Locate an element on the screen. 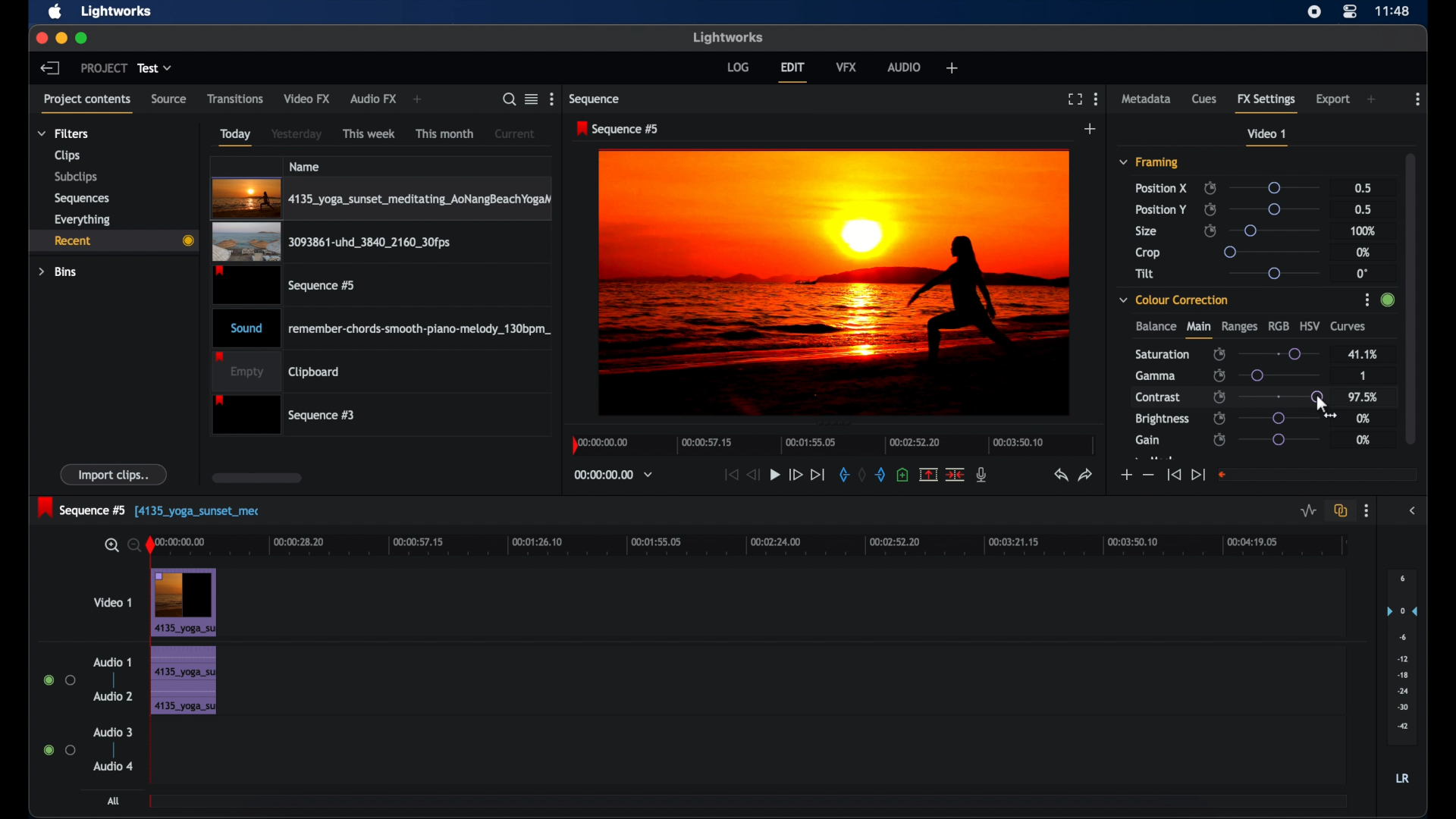 The width and height of the screenshot is (1456, 819). audio clip is located at coordinates (382, 327).